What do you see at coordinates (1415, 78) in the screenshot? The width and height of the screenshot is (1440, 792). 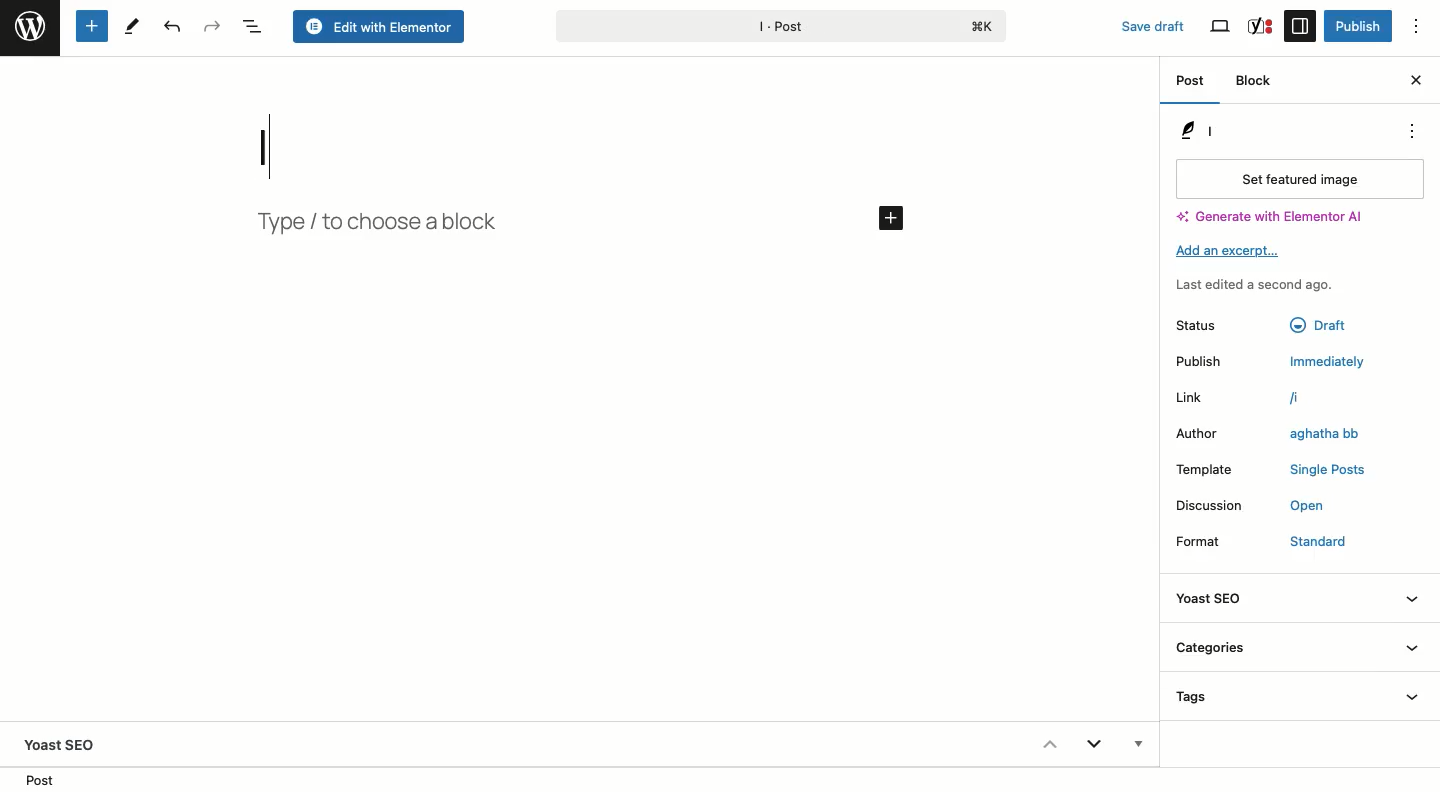 I see `Close` at bounding box center [1415, 78].